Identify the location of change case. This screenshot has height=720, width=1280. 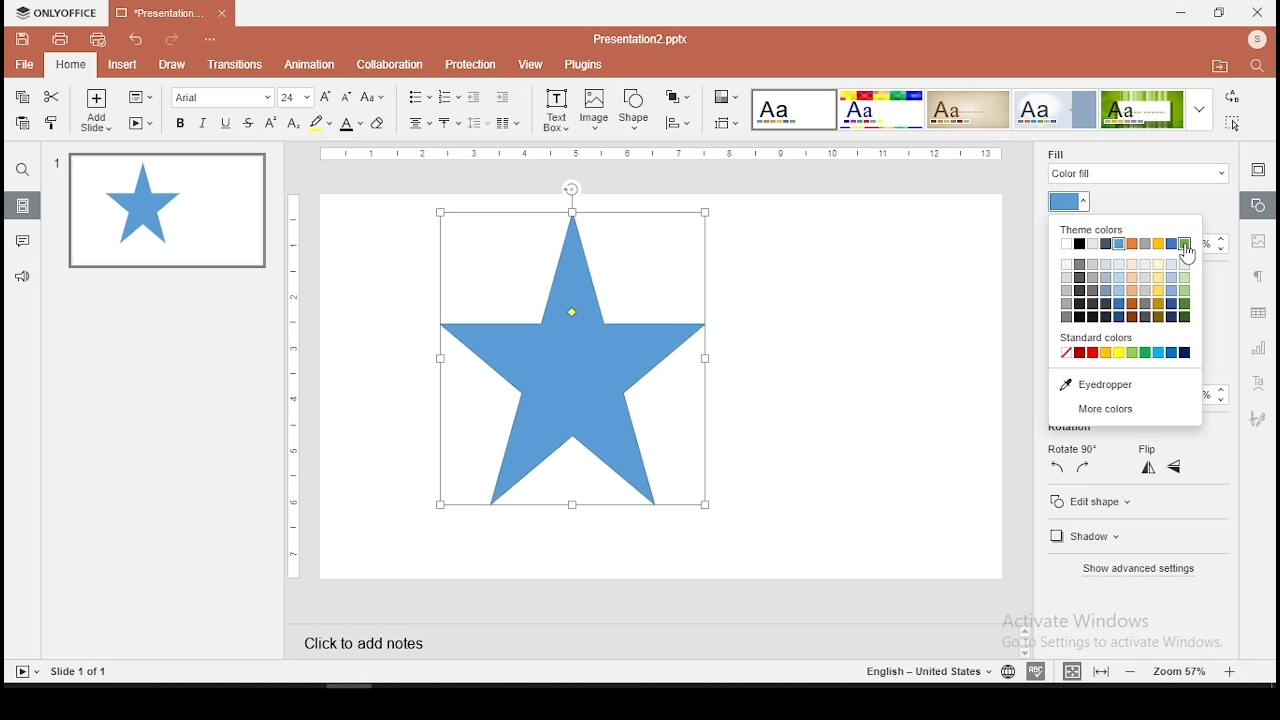
(373, 96).